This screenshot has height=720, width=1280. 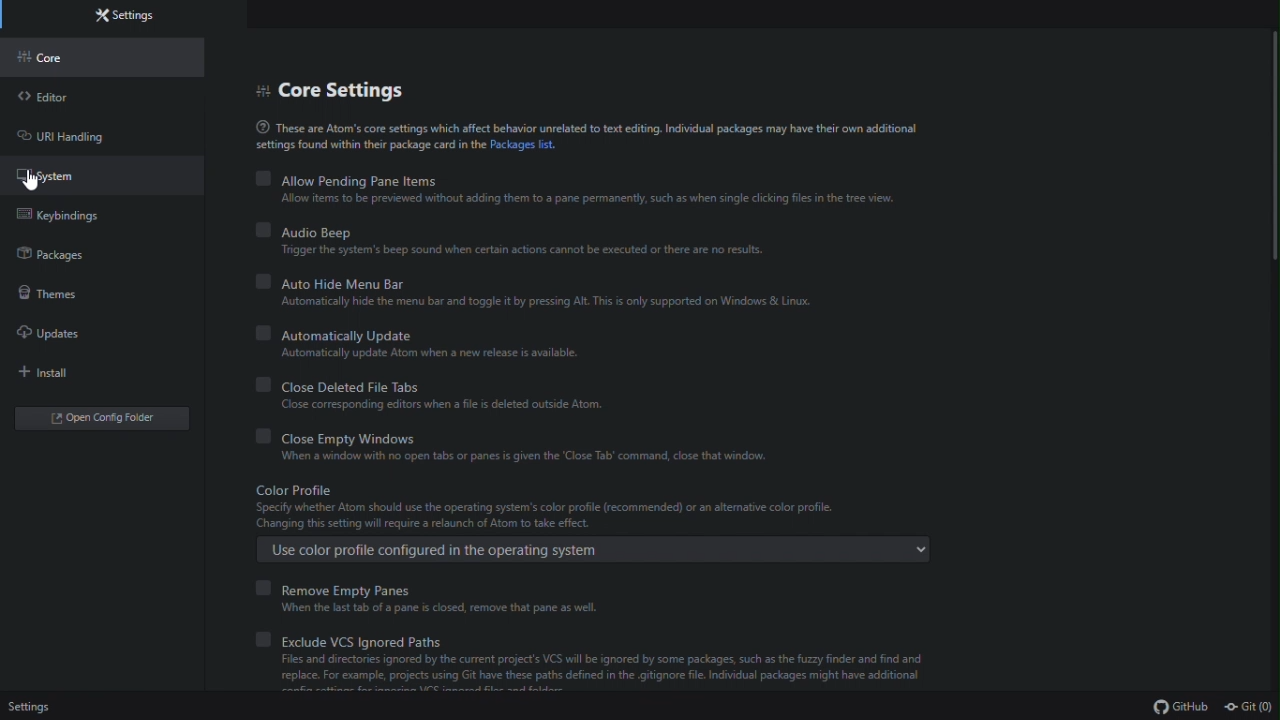 I want to click on scrollbar, so click(x=1271, y=152).